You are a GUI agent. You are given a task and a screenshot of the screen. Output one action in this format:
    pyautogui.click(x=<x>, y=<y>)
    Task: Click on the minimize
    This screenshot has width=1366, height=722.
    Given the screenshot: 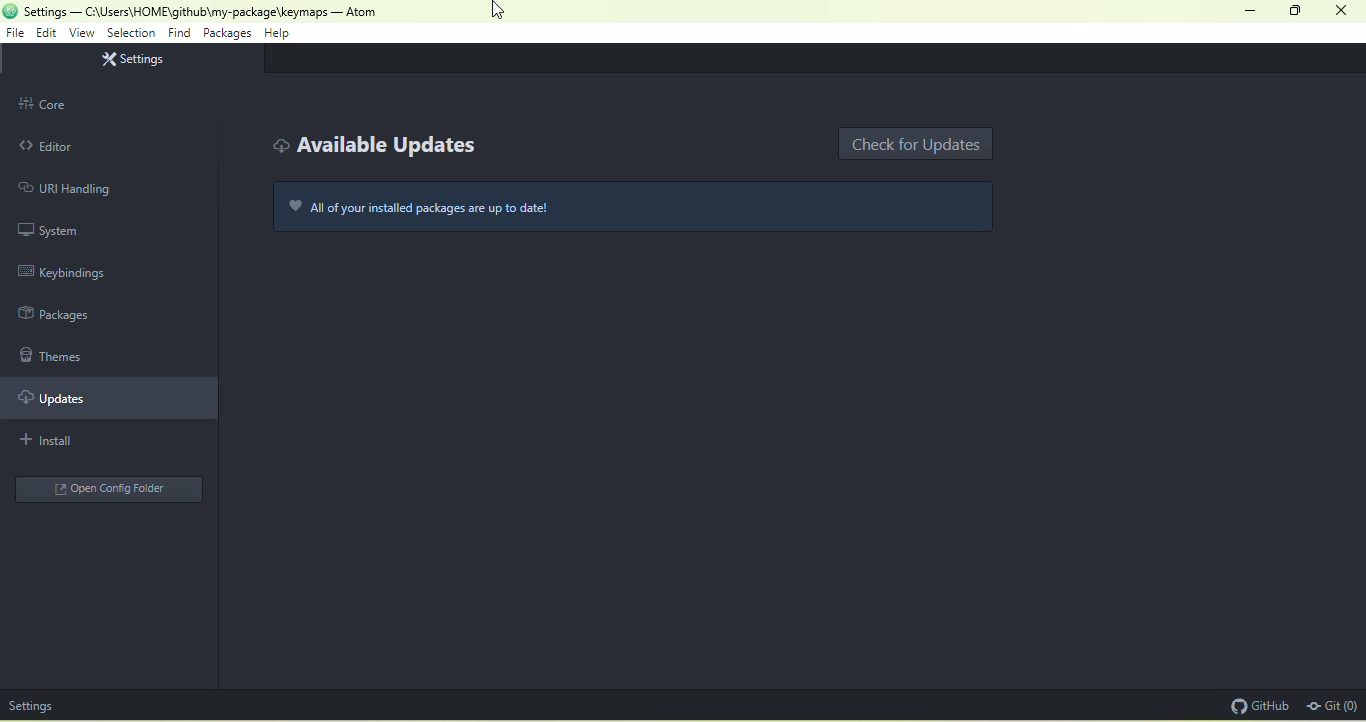 What is the action you would take?
    pyautogui.click(x=1249, y=11)
    